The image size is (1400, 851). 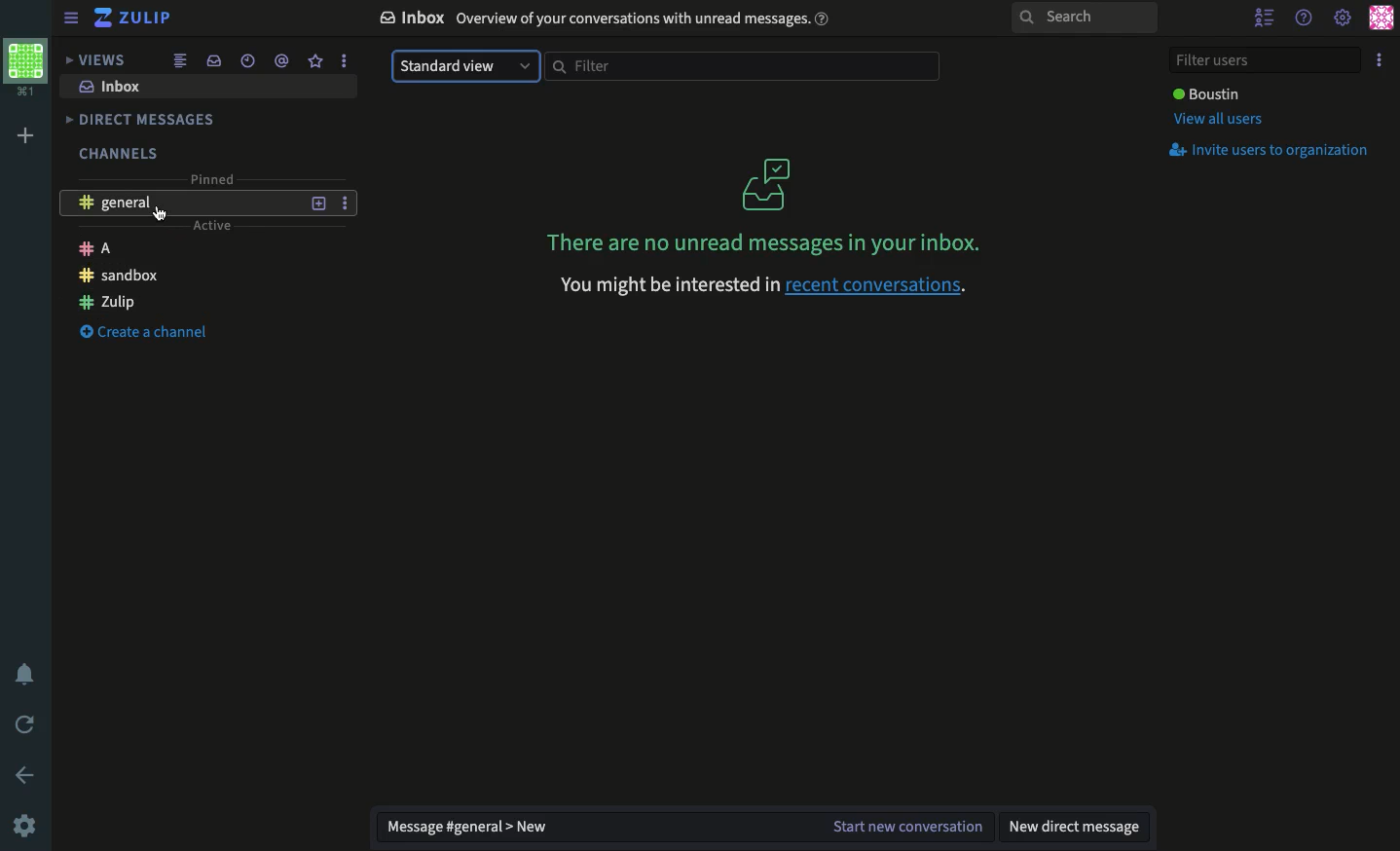 I want to click on No unread messages, so click(x=774, y=200).